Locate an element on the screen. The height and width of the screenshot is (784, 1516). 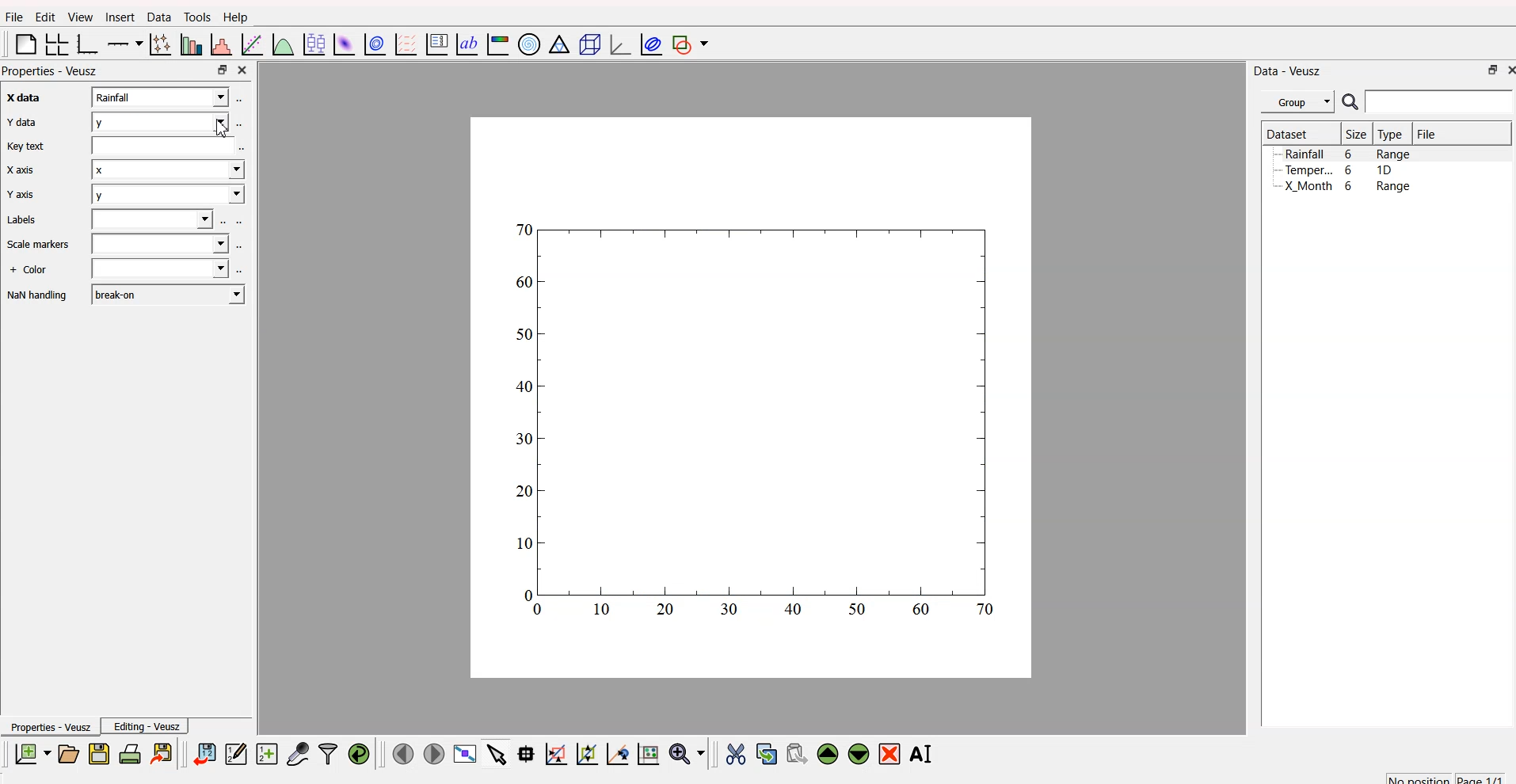
rename the selected widget is located at coordinates (924, 753).